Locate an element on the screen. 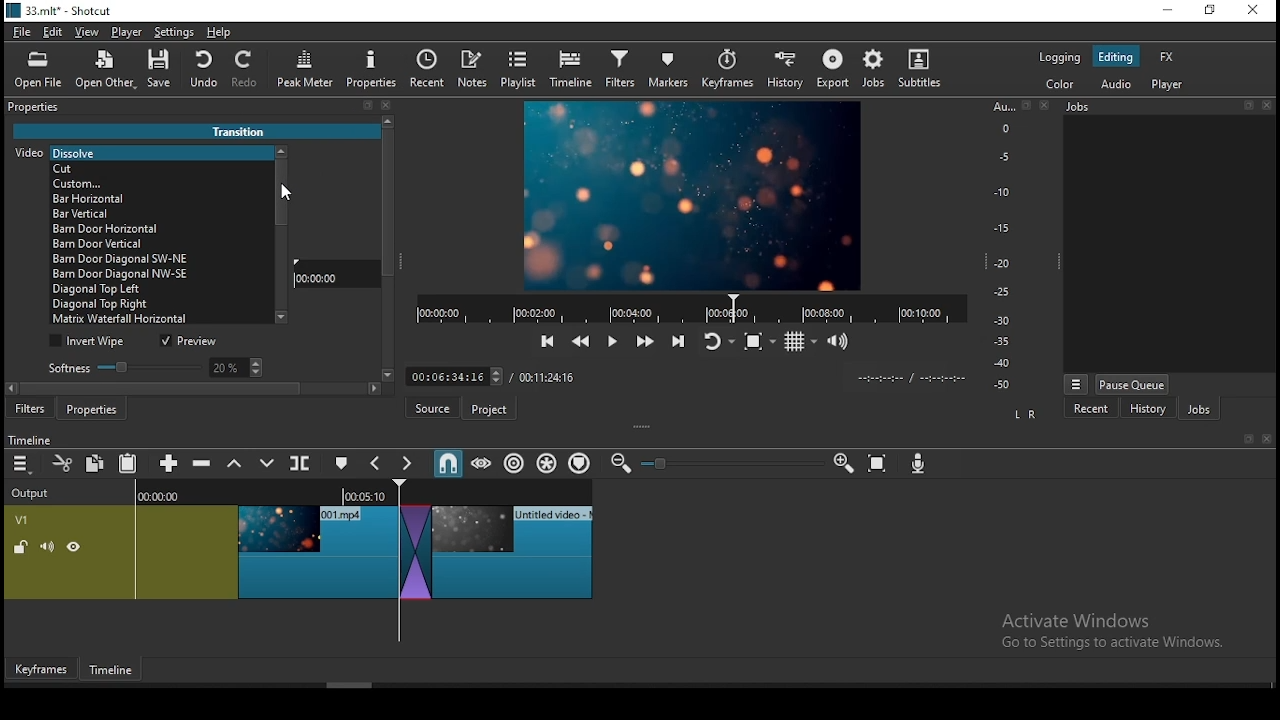 The height and width of the screenshot is (720, 1280).  is located at coordinates (1043, 106).